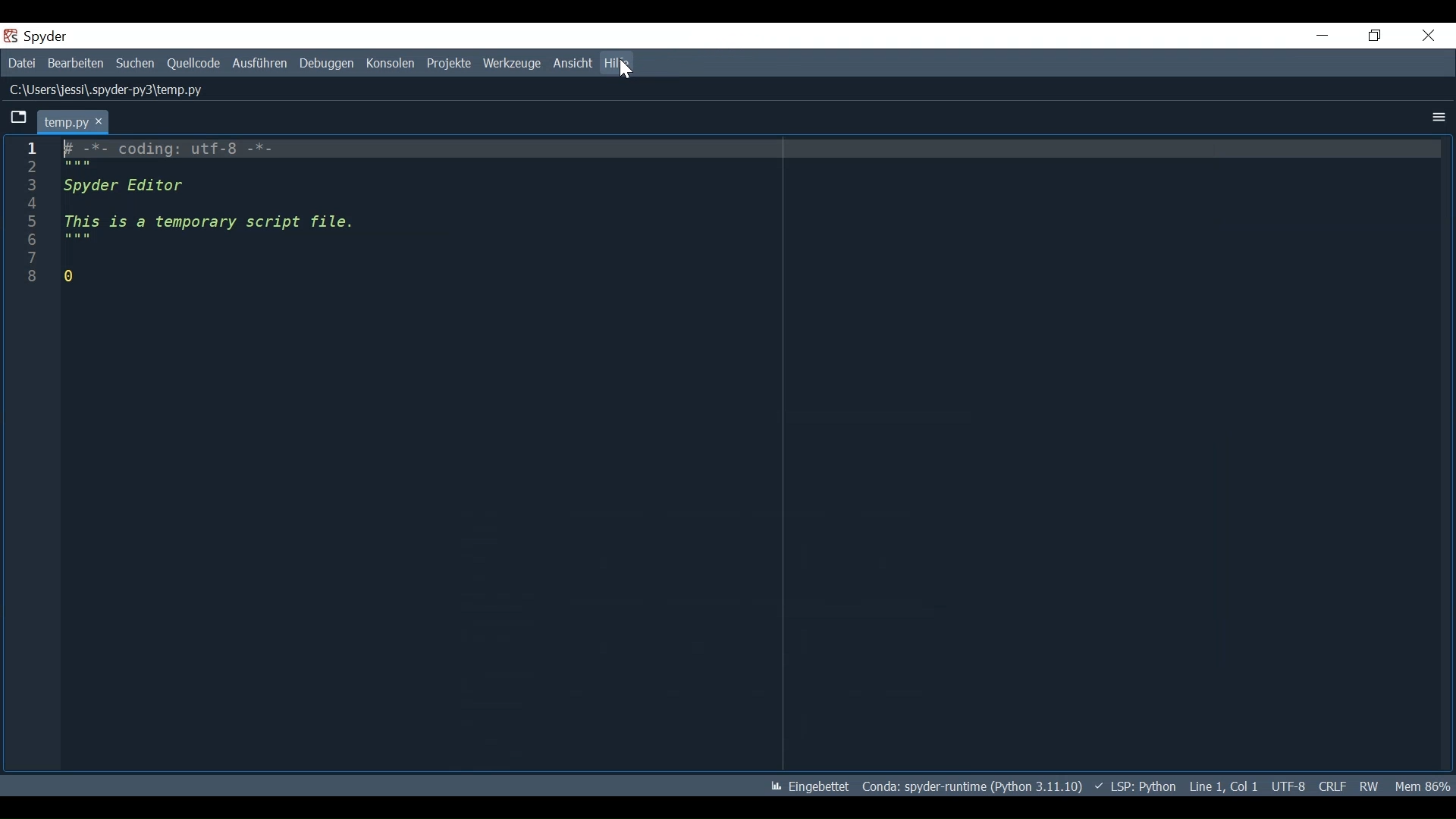 Image resolution: width=1456 pixels, height=819 pixels. I want to click on Cursor, so click(624, 71).